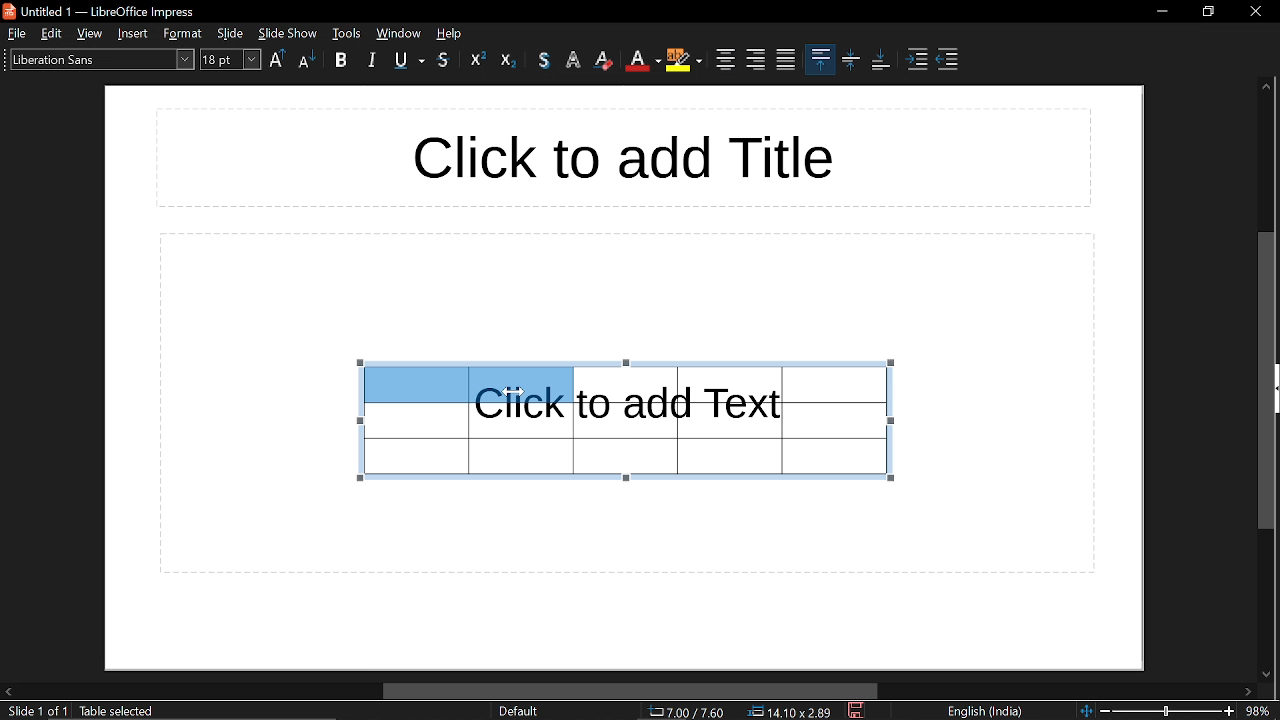  Describe the element at coordinates (576, 61) in the screenshot. I see `apply outline` at that location.